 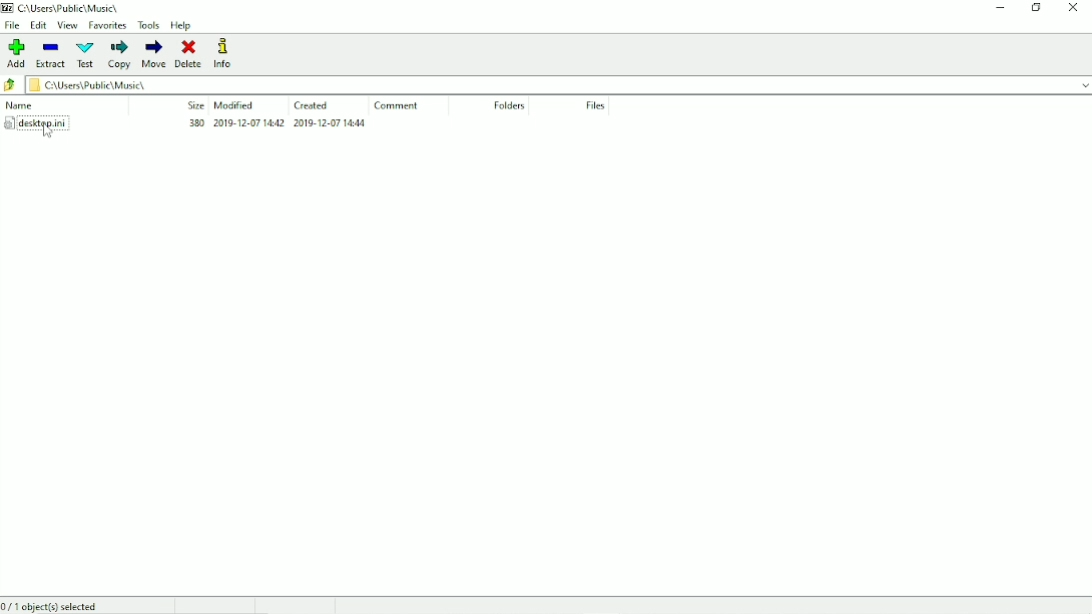 I want to click on Move, so click(x=154, y=54).